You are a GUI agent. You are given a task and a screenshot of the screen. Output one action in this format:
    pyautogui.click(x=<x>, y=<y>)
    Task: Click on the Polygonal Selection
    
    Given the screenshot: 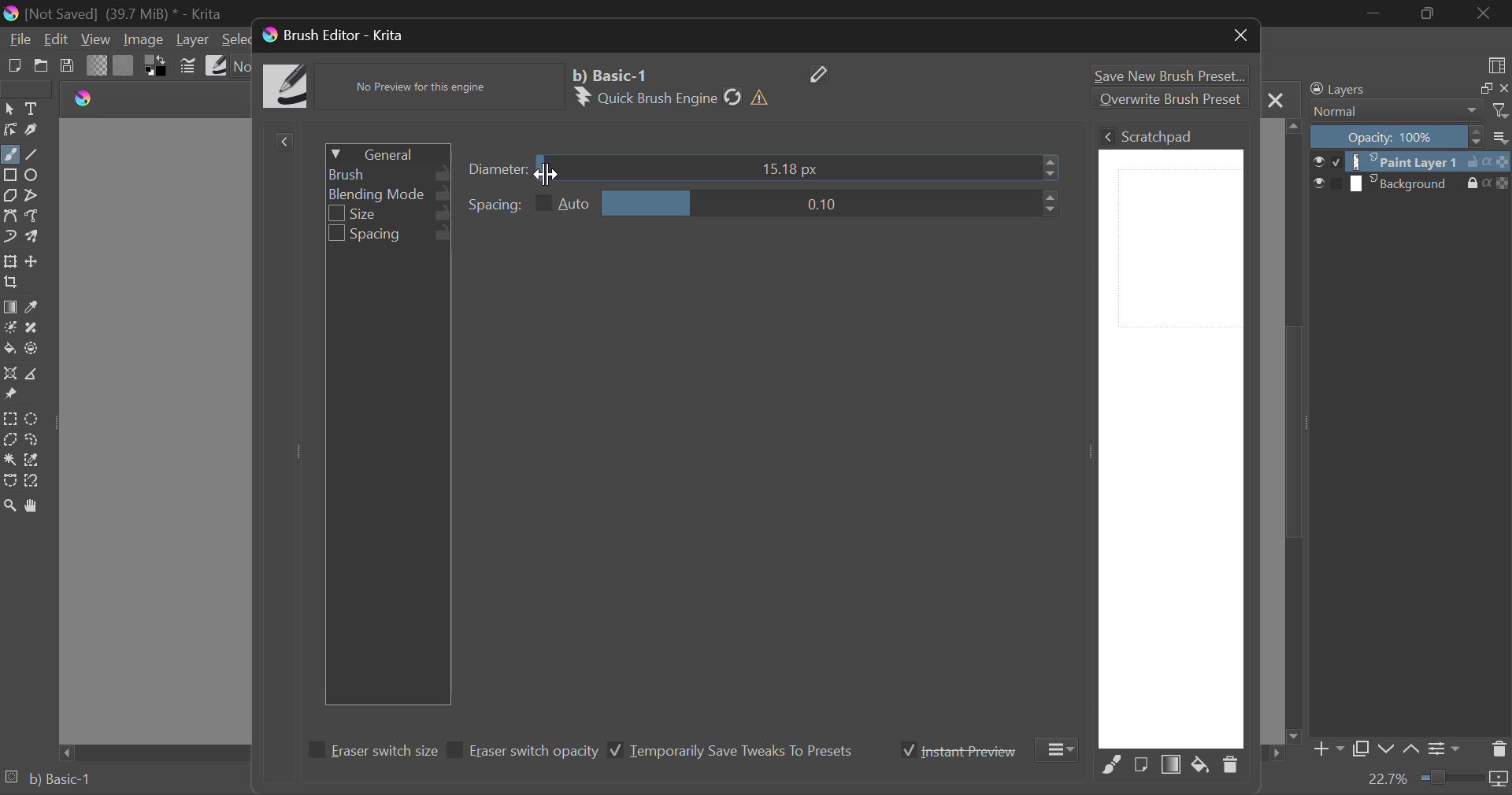 What is the action you would take?
    pyautogui.click(x=9, y=439)
    